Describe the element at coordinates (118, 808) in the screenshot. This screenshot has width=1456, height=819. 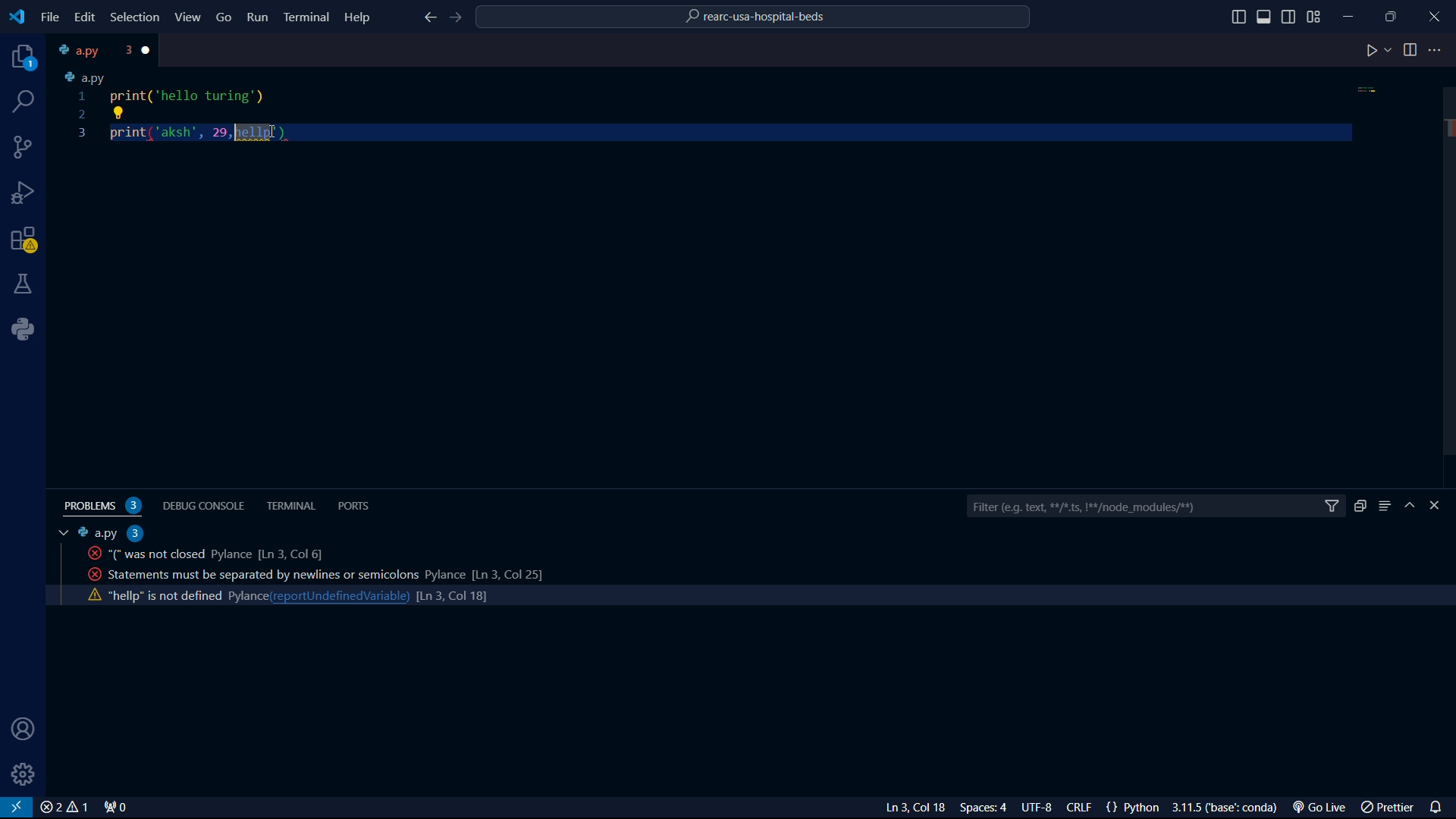
I see `connect 0` at that location.